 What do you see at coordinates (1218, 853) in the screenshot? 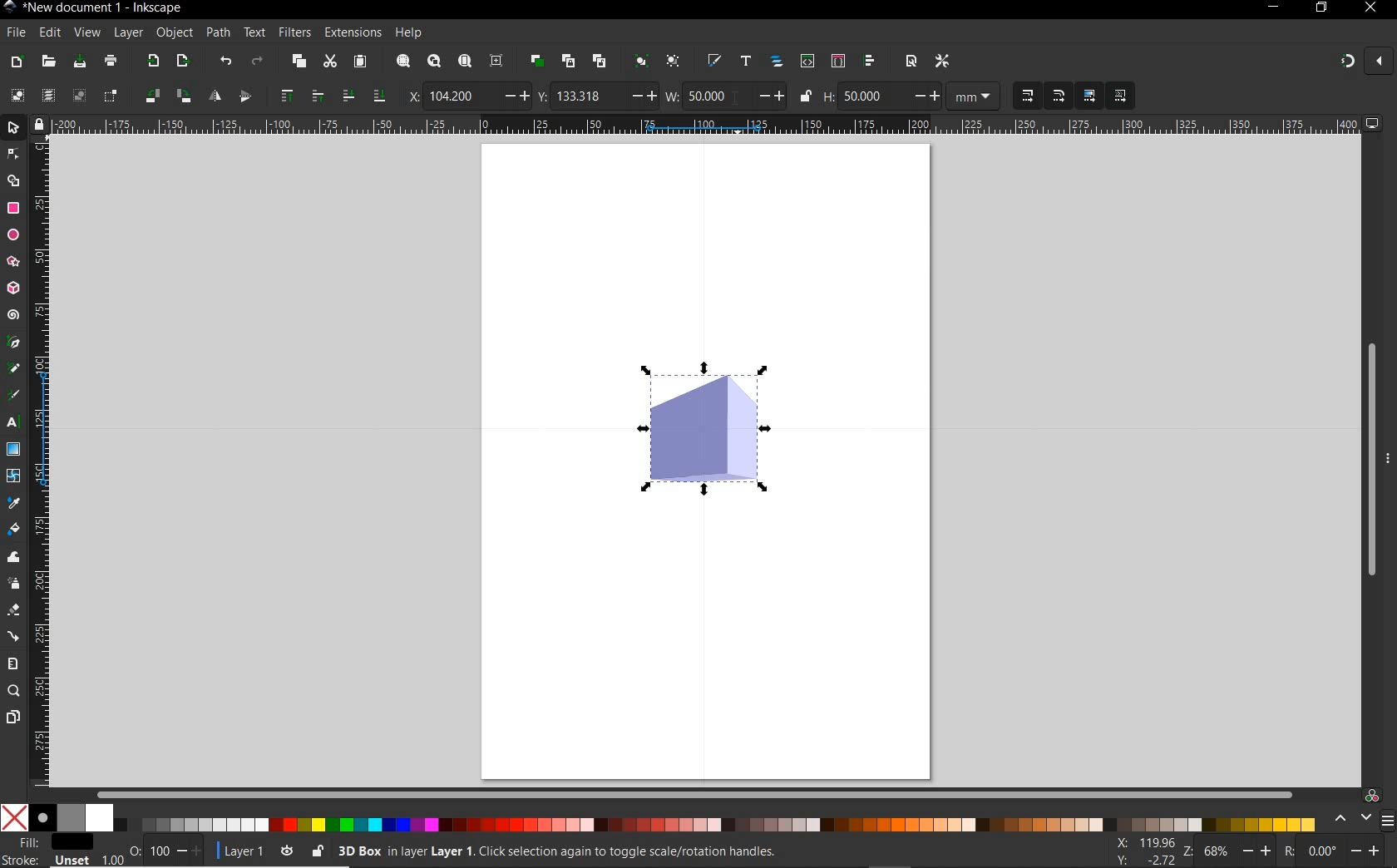
I see `68` at bounding box center [1218, 853].